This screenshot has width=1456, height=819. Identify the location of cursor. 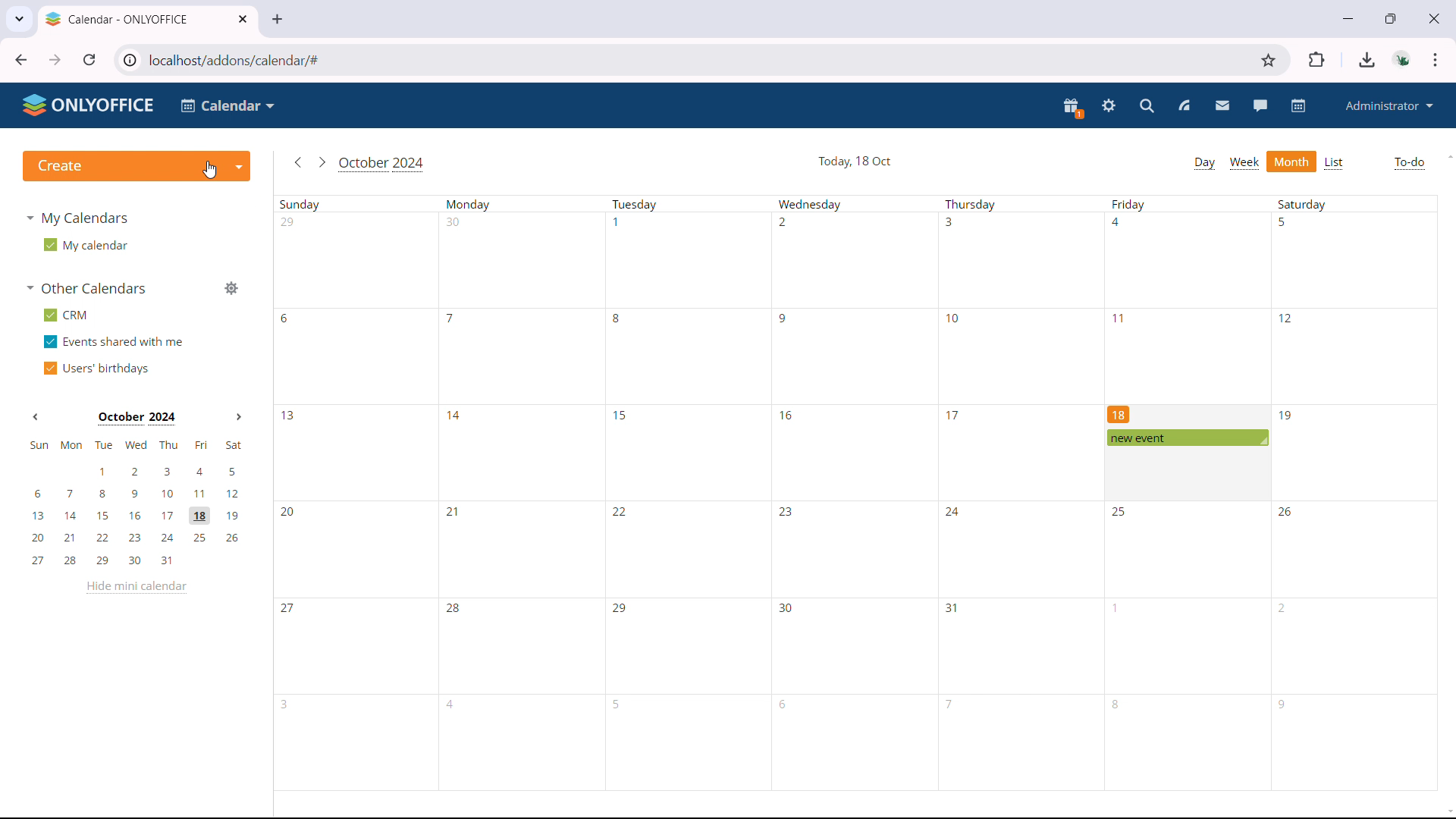
(209, 170).